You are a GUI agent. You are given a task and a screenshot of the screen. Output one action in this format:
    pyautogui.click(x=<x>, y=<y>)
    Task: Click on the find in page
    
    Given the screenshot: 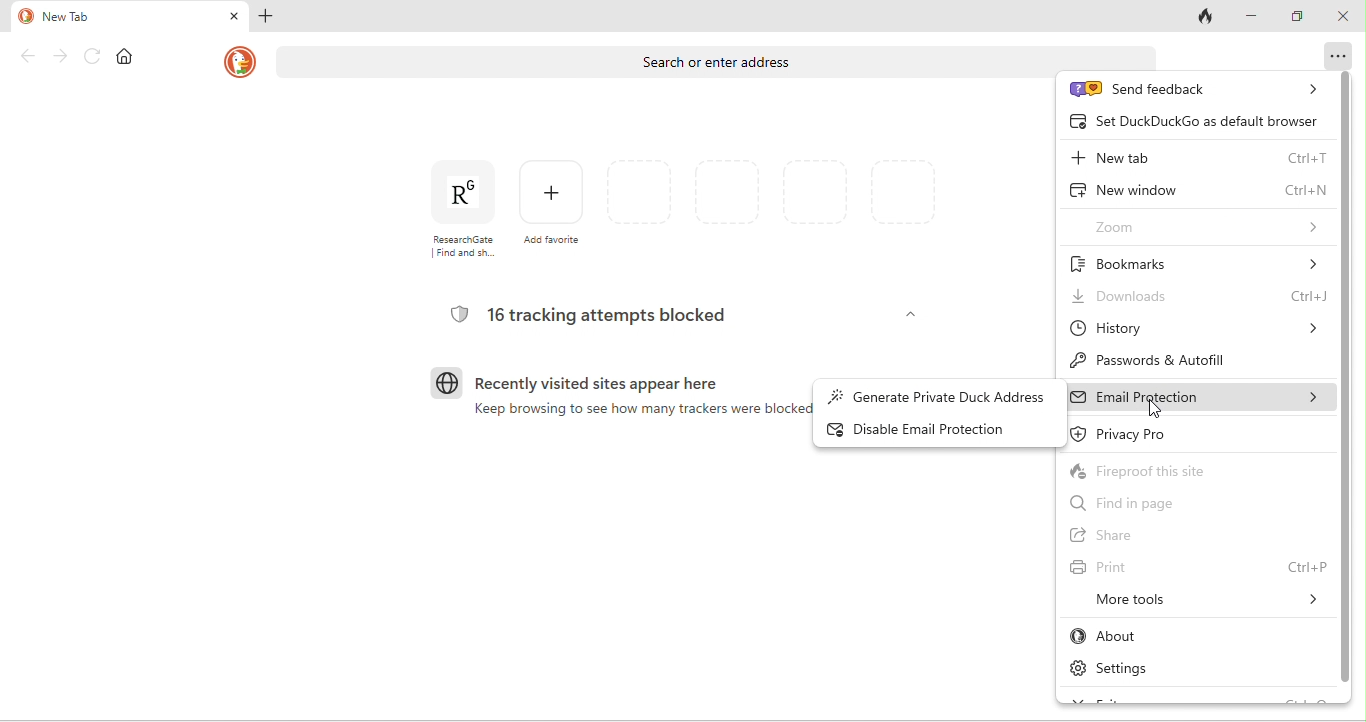 What is the action you would take?
    pyautogui.click(x=1130, y=502)
    